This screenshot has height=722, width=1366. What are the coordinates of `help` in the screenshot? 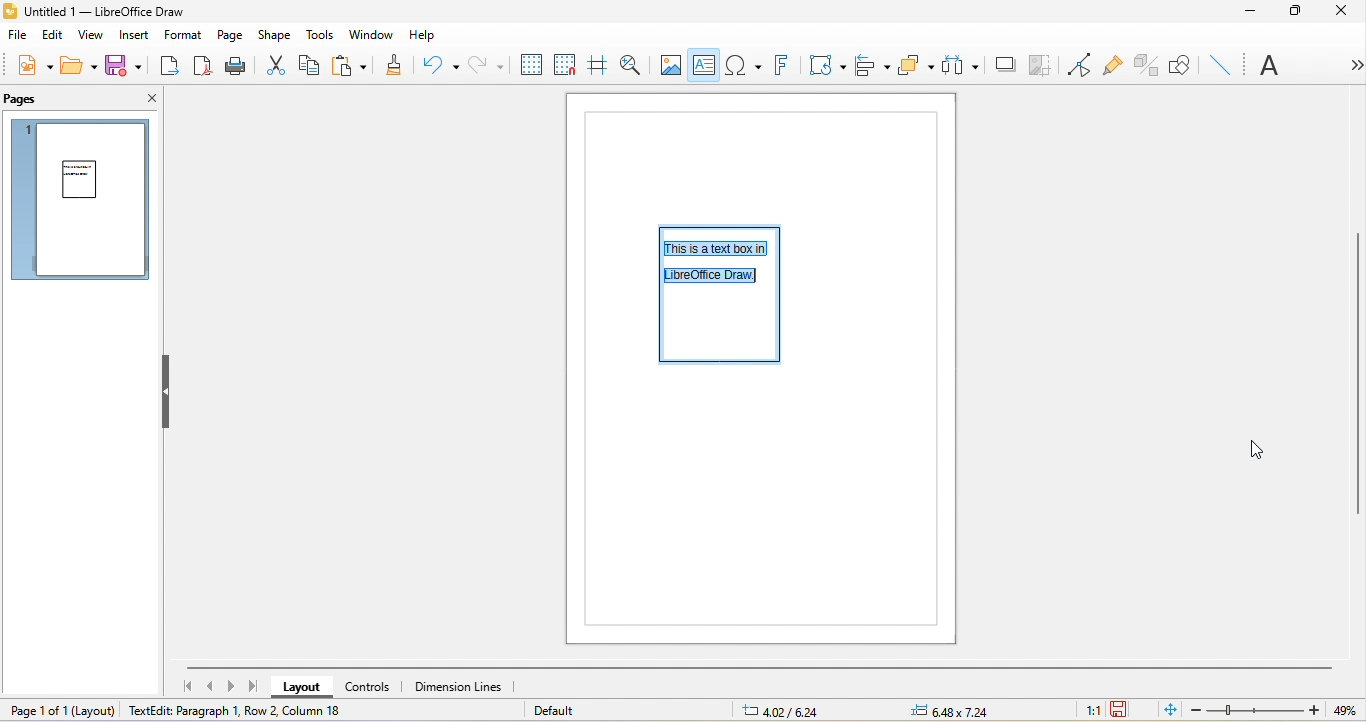 It's located at (424, 37).